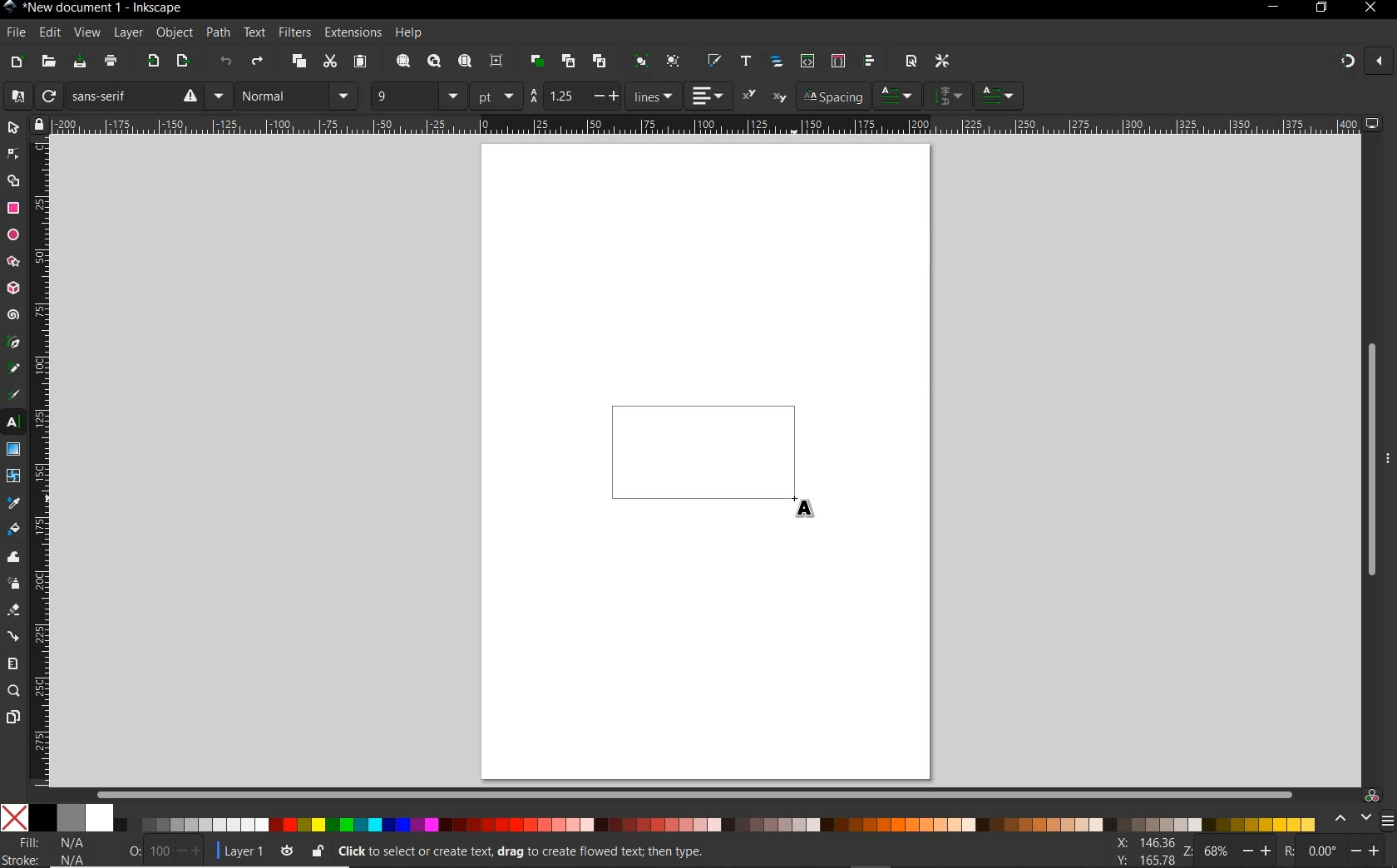  Describe the element at coordinates (466, 62) in the screenshot. I see `zoom page` at that location.